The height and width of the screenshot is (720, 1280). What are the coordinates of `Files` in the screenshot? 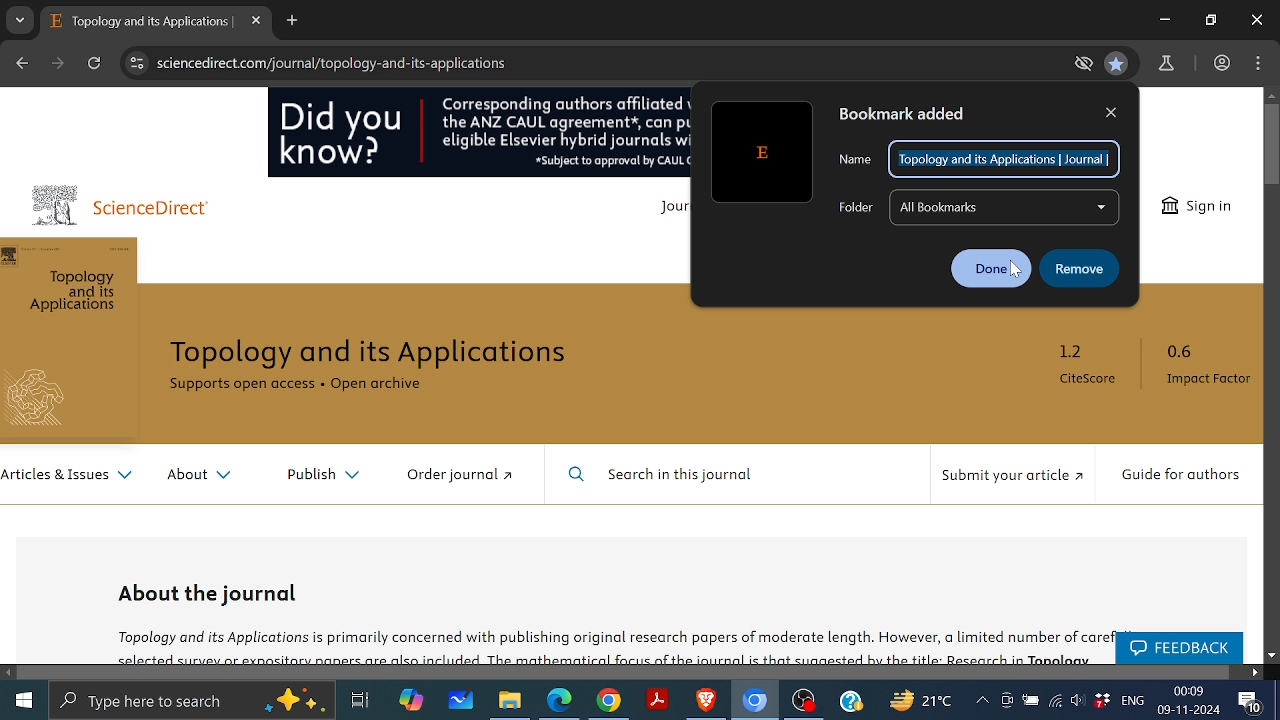 It's located at (508, 700).